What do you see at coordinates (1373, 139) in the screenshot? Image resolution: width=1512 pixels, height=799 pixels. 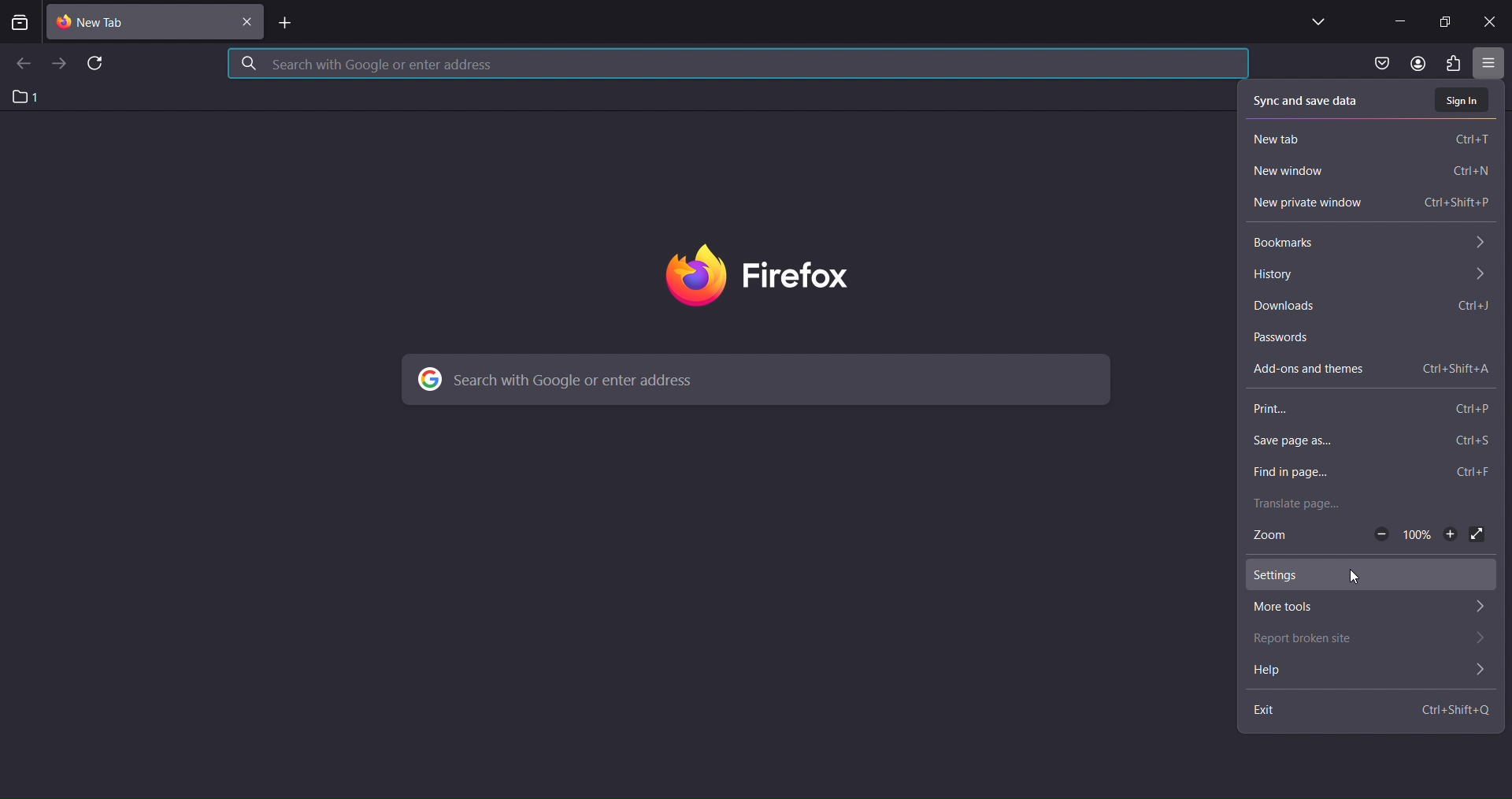 I see `new tab` at bounding box center [1373, 139].